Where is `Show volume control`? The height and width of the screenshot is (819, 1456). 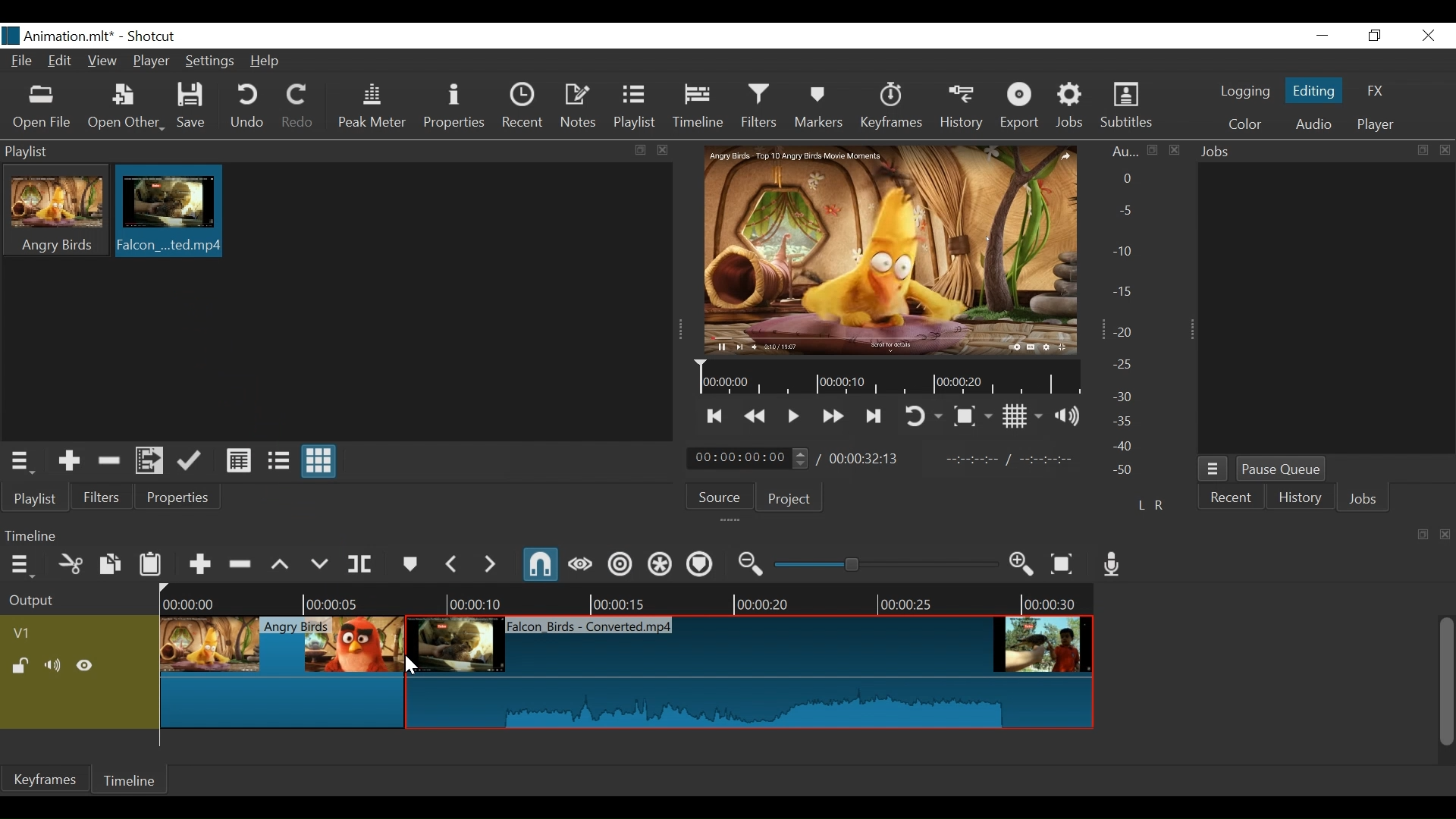 Show volume control is located at coordinates (1068, 416).